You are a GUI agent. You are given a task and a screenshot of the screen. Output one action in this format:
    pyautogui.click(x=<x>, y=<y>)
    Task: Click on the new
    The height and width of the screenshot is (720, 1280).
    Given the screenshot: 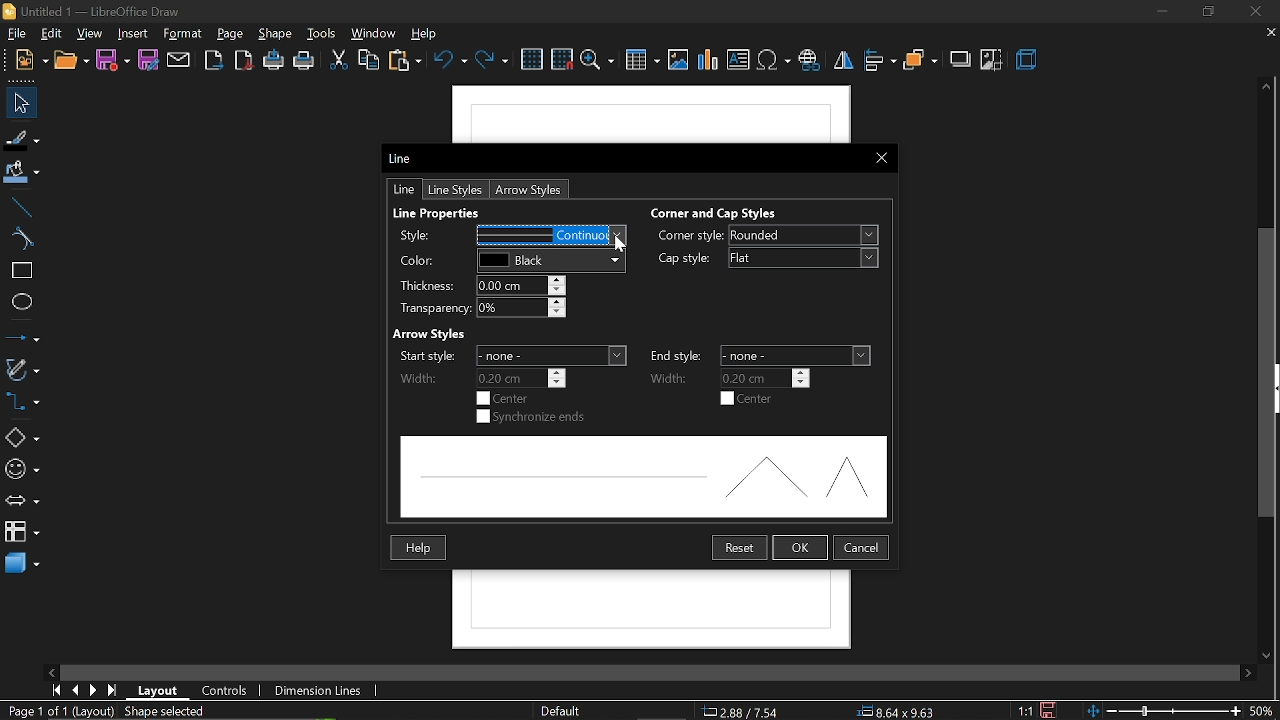 What is the action you would take?
    pyautogui.click(x=72, y=61)
    